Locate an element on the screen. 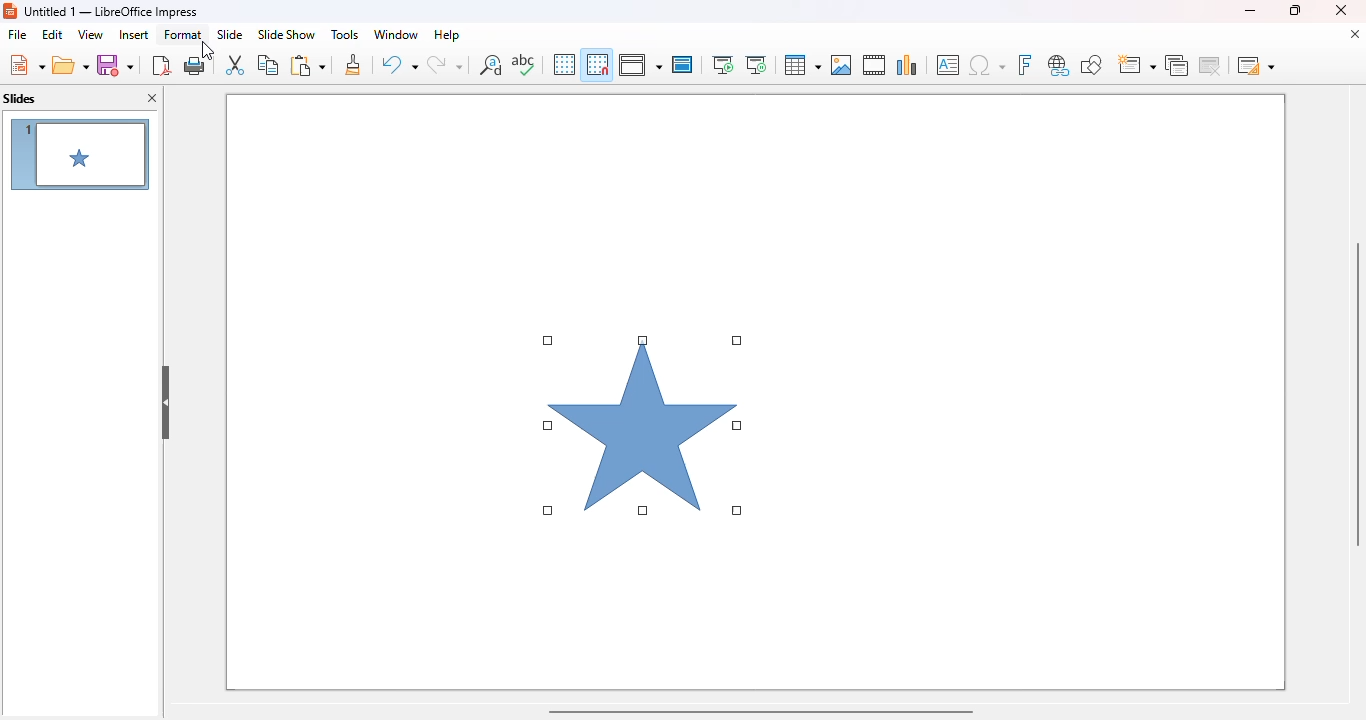 This screenshot has width=1366, height=720. undo is located at coordinates (399, 65).